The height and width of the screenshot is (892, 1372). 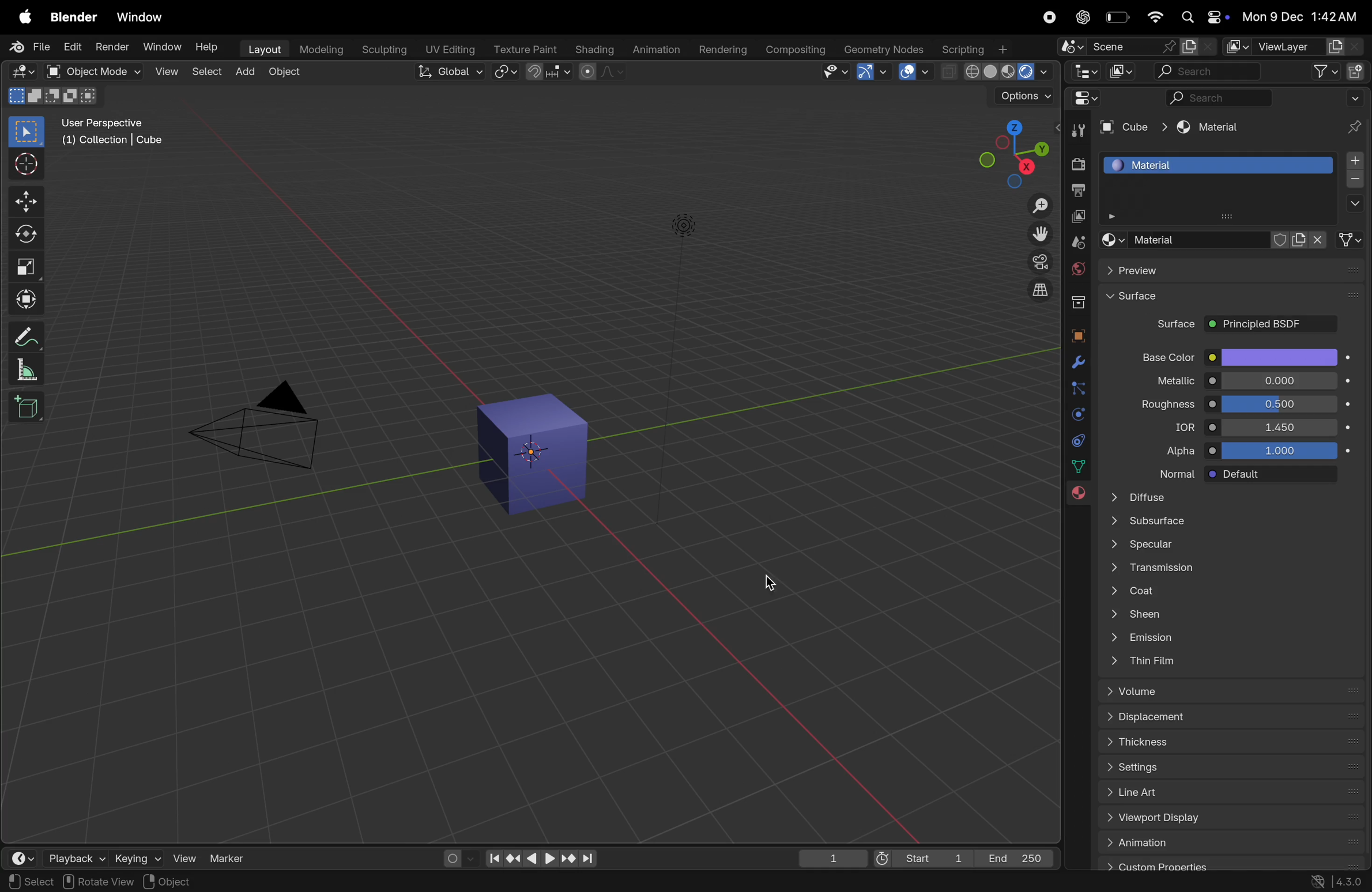 I want to click on editor type, so click(x=1081, y=98).